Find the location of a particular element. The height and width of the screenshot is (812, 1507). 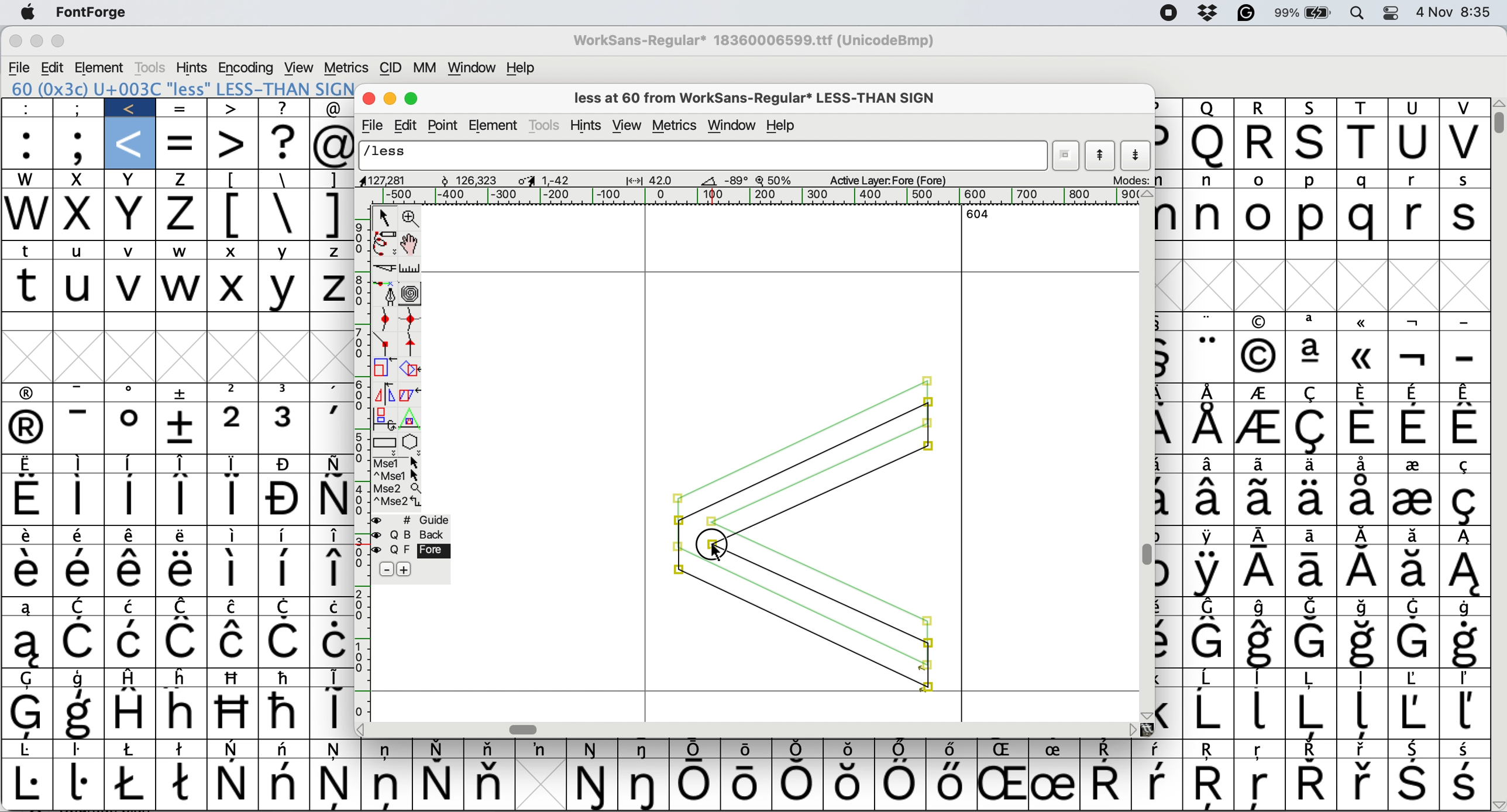

Symbol is located at coordinates (237, 608).